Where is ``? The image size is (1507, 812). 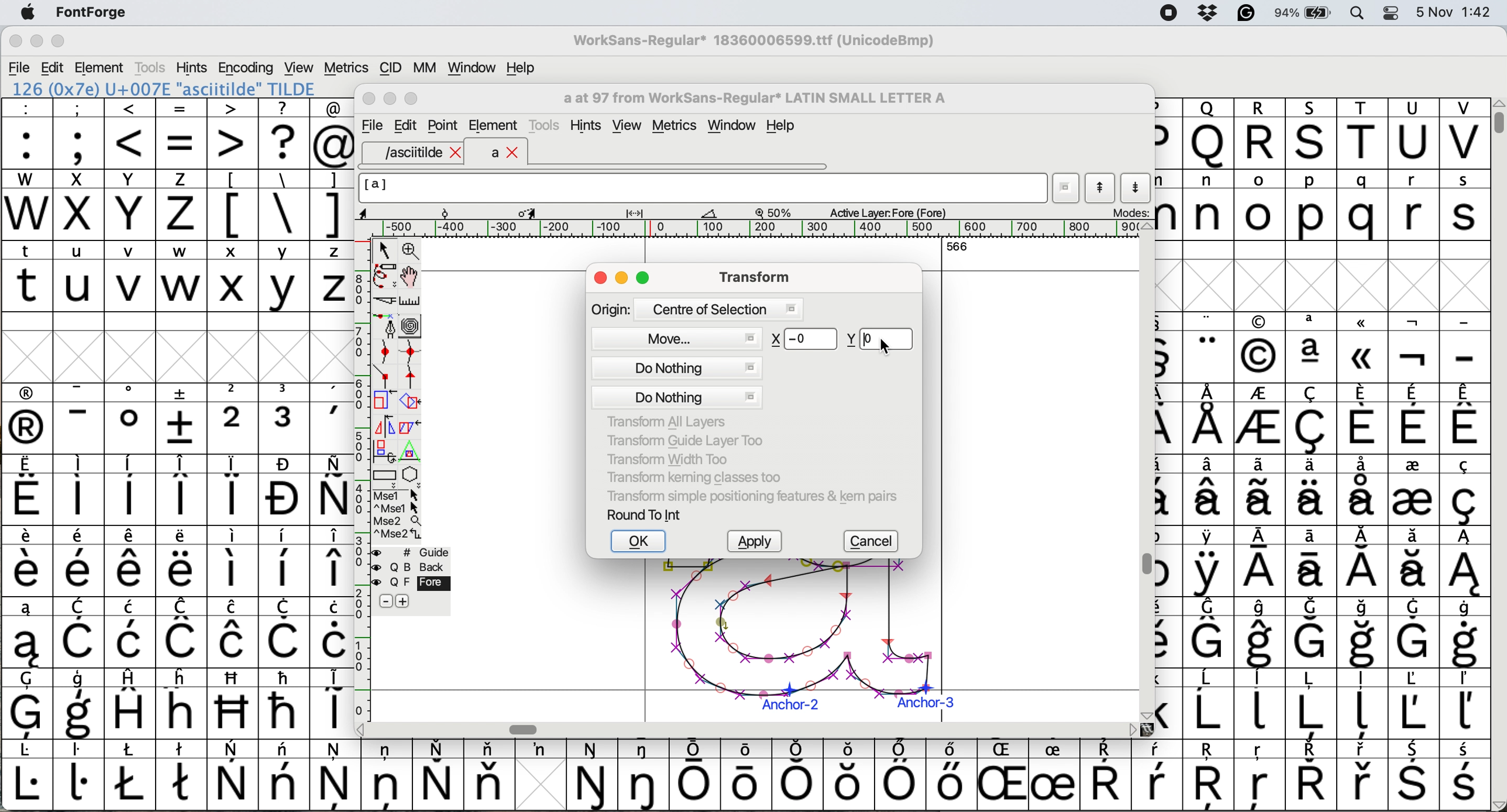  is located at coordinates (1208, 133).